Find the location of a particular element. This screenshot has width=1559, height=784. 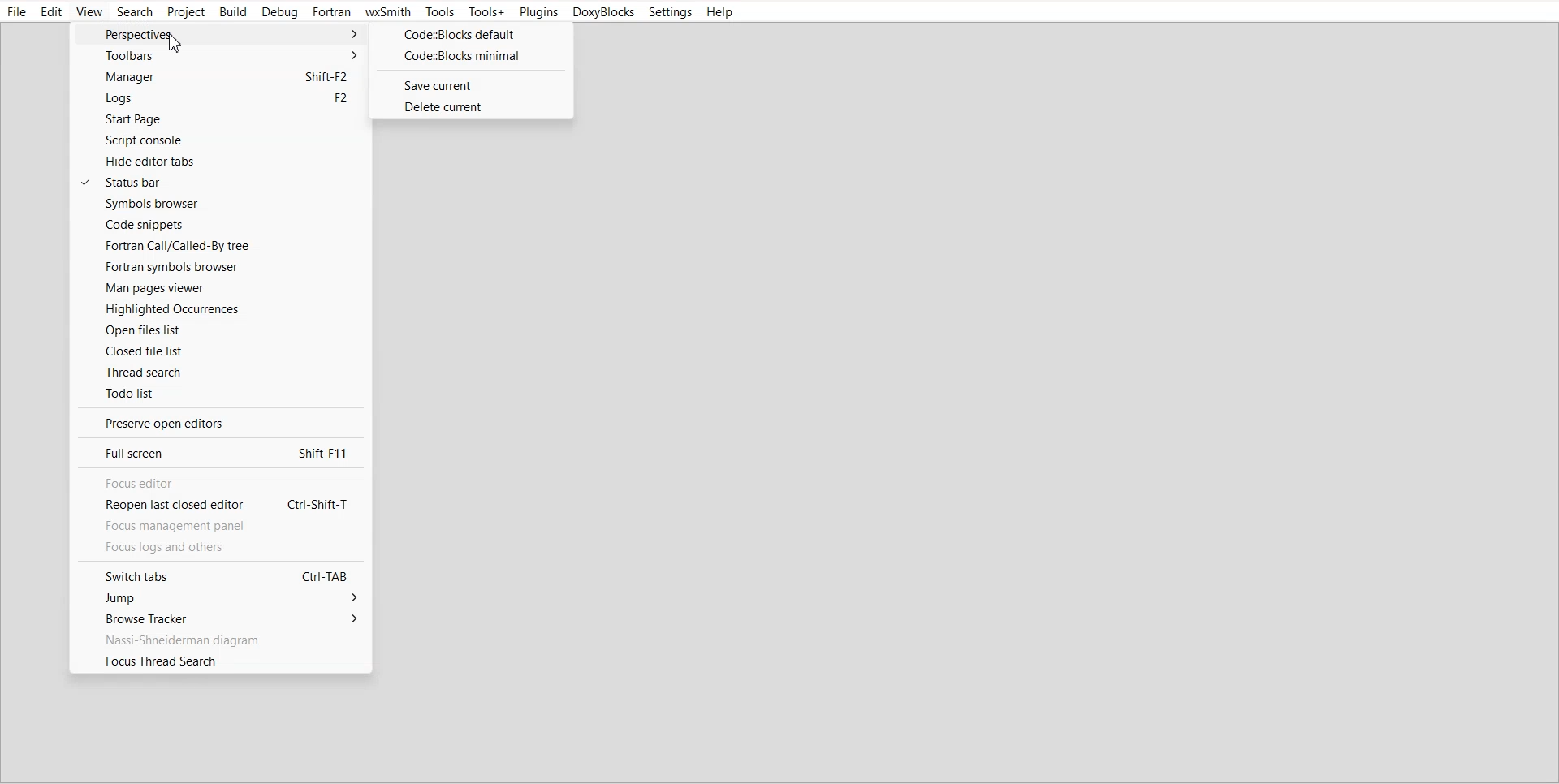

Hide editor tabs is located at coordinates (220, 161).